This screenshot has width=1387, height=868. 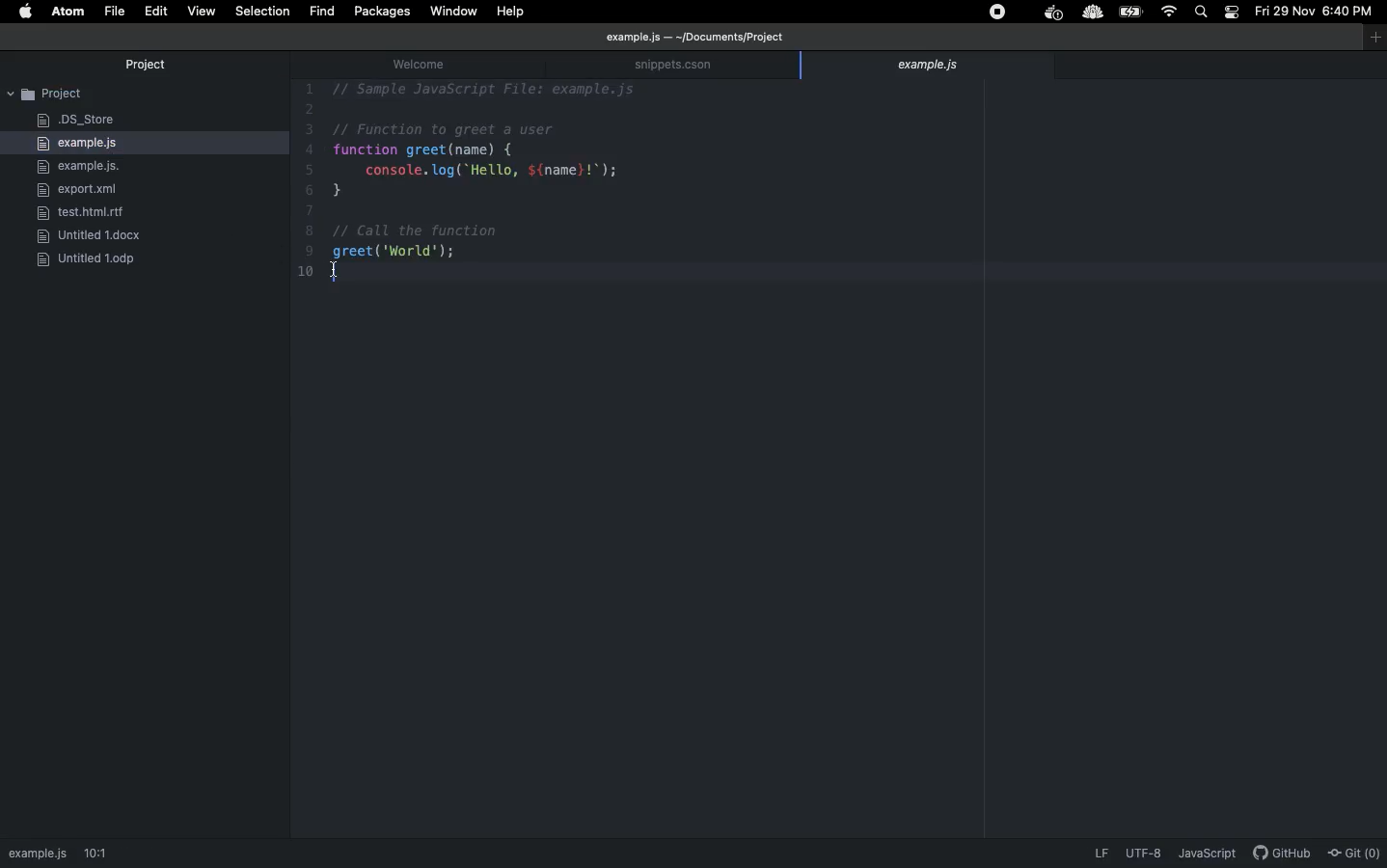 What do you see at coordinates (1232, 12) in the screenshot?
I see `Notification` at bounding box center [1232, 12].